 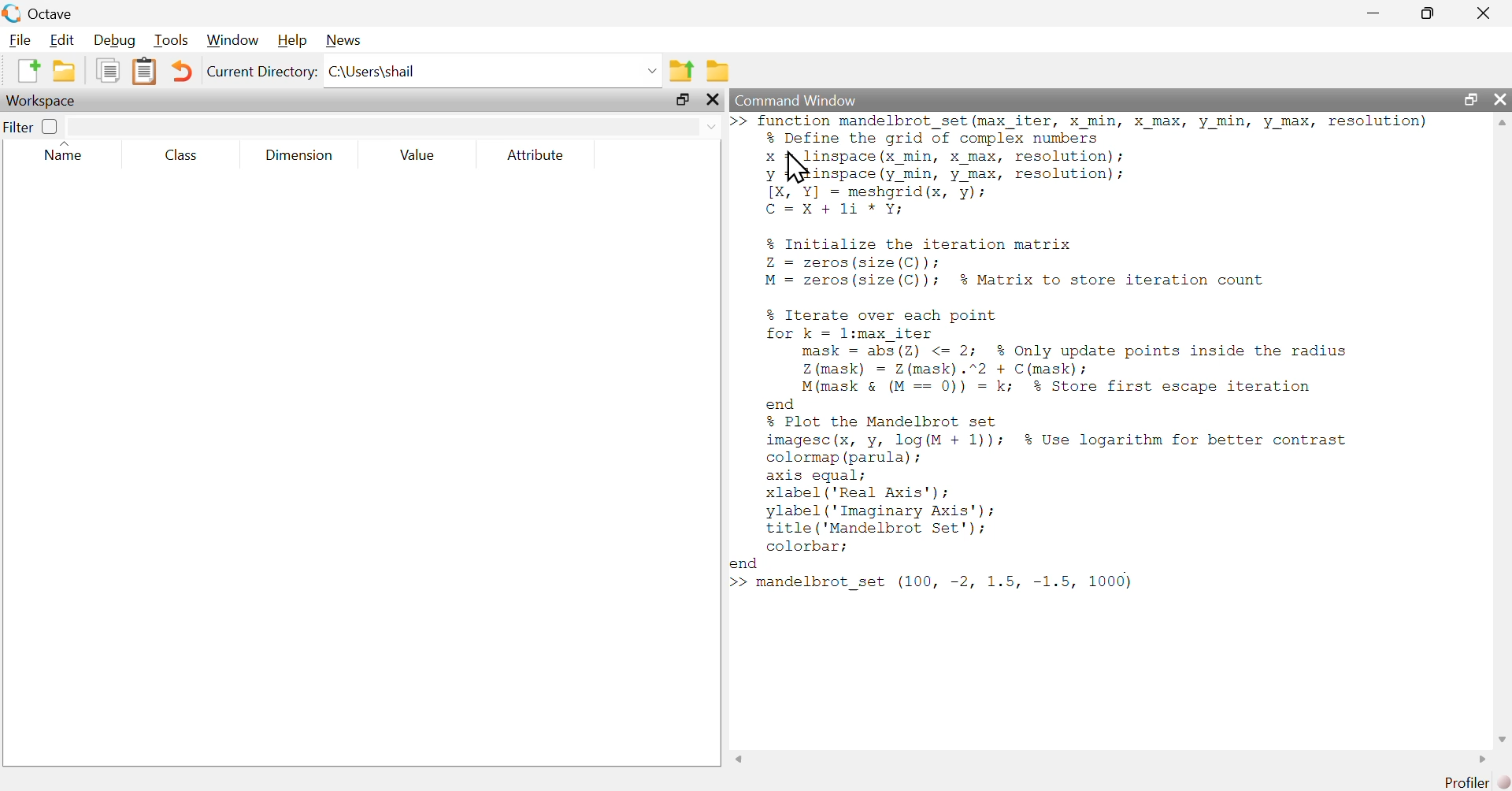 What do you see at coordinates (493, 71) in the screenshot?
I see `C:\Users\shail` at bounding box center [493, 71].